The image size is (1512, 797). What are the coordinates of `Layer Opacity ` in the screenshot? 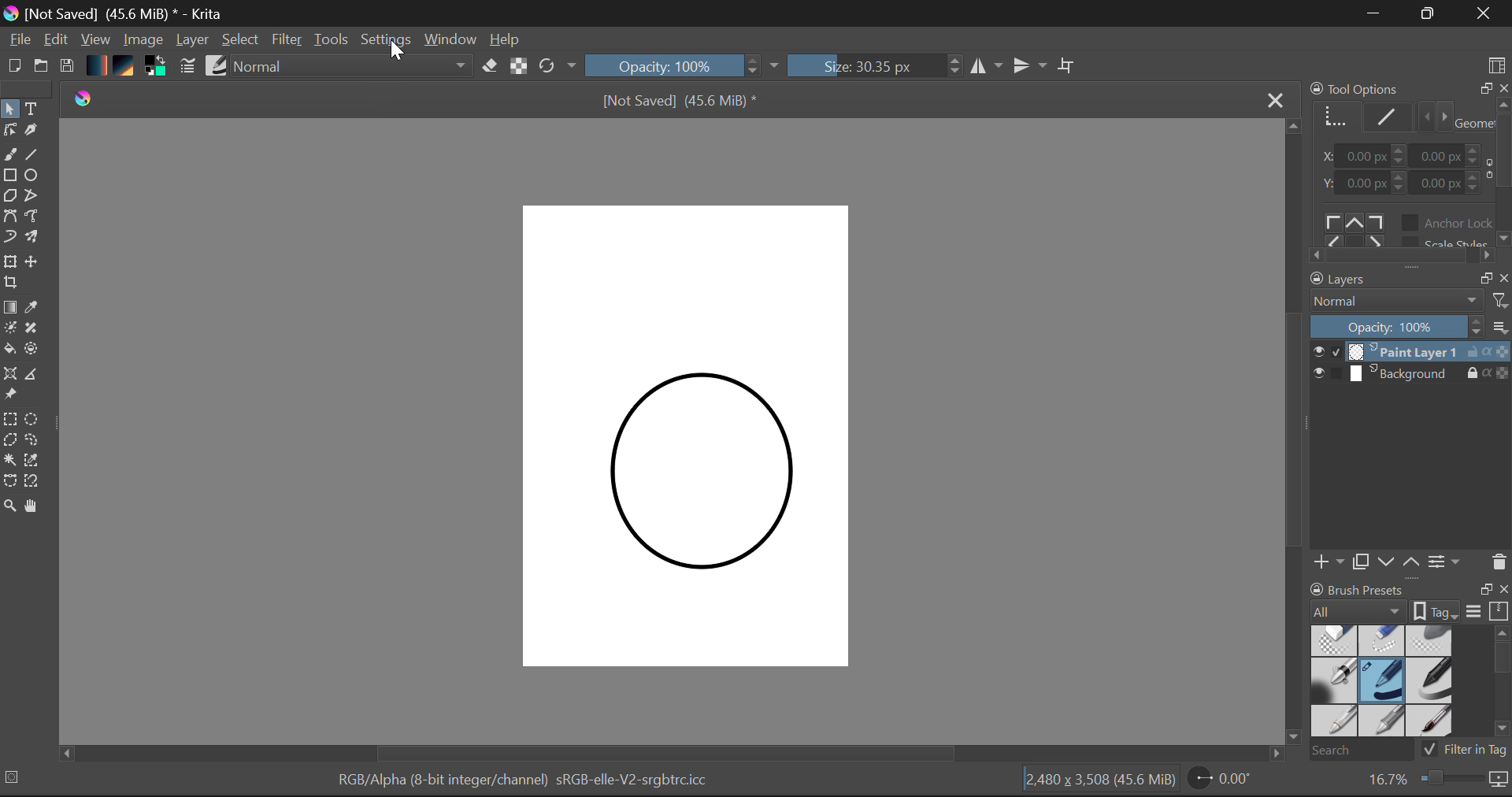 It's located at (1410, 327).